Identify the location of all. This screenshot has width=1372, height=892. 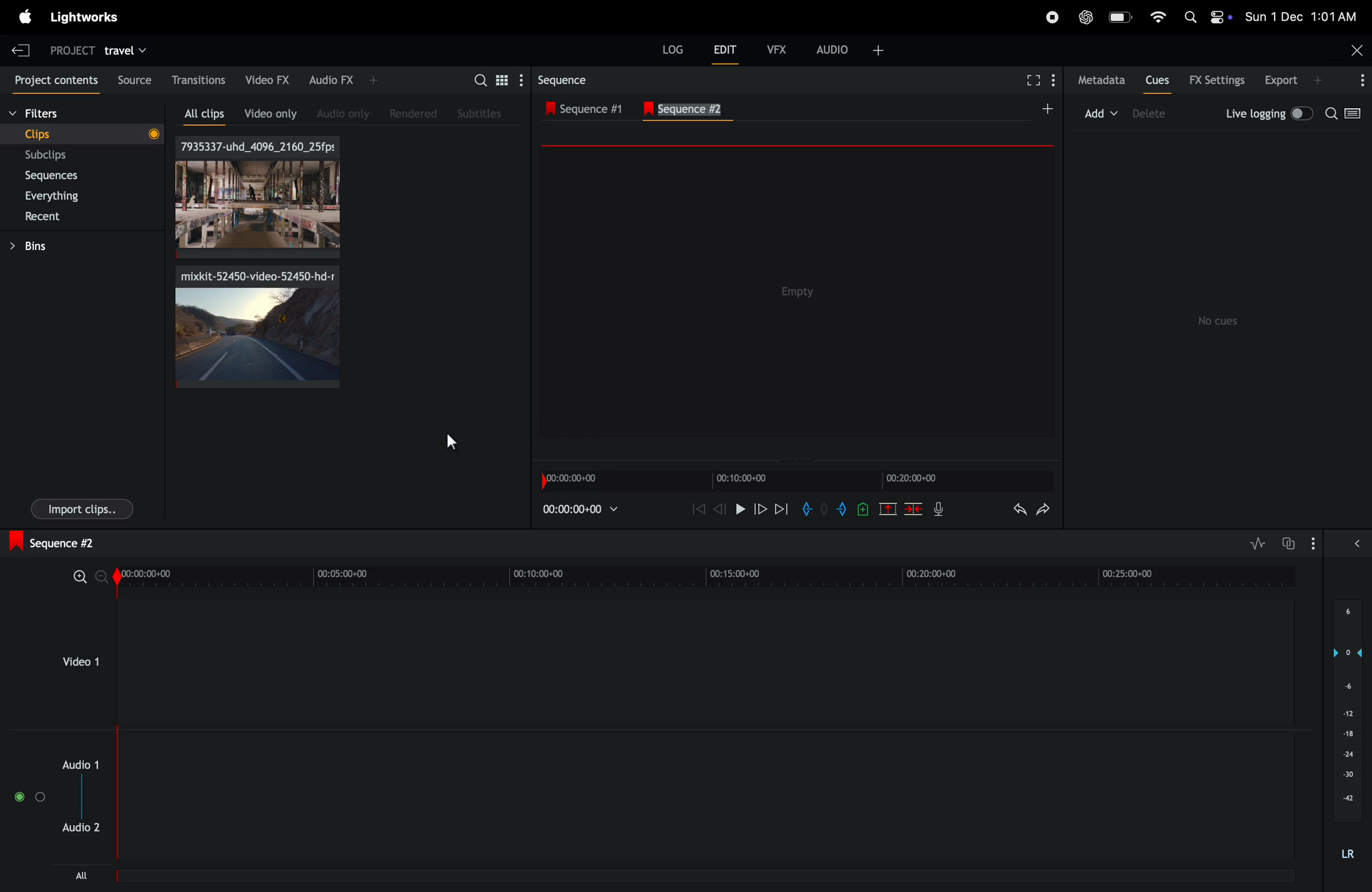
(82, 875).